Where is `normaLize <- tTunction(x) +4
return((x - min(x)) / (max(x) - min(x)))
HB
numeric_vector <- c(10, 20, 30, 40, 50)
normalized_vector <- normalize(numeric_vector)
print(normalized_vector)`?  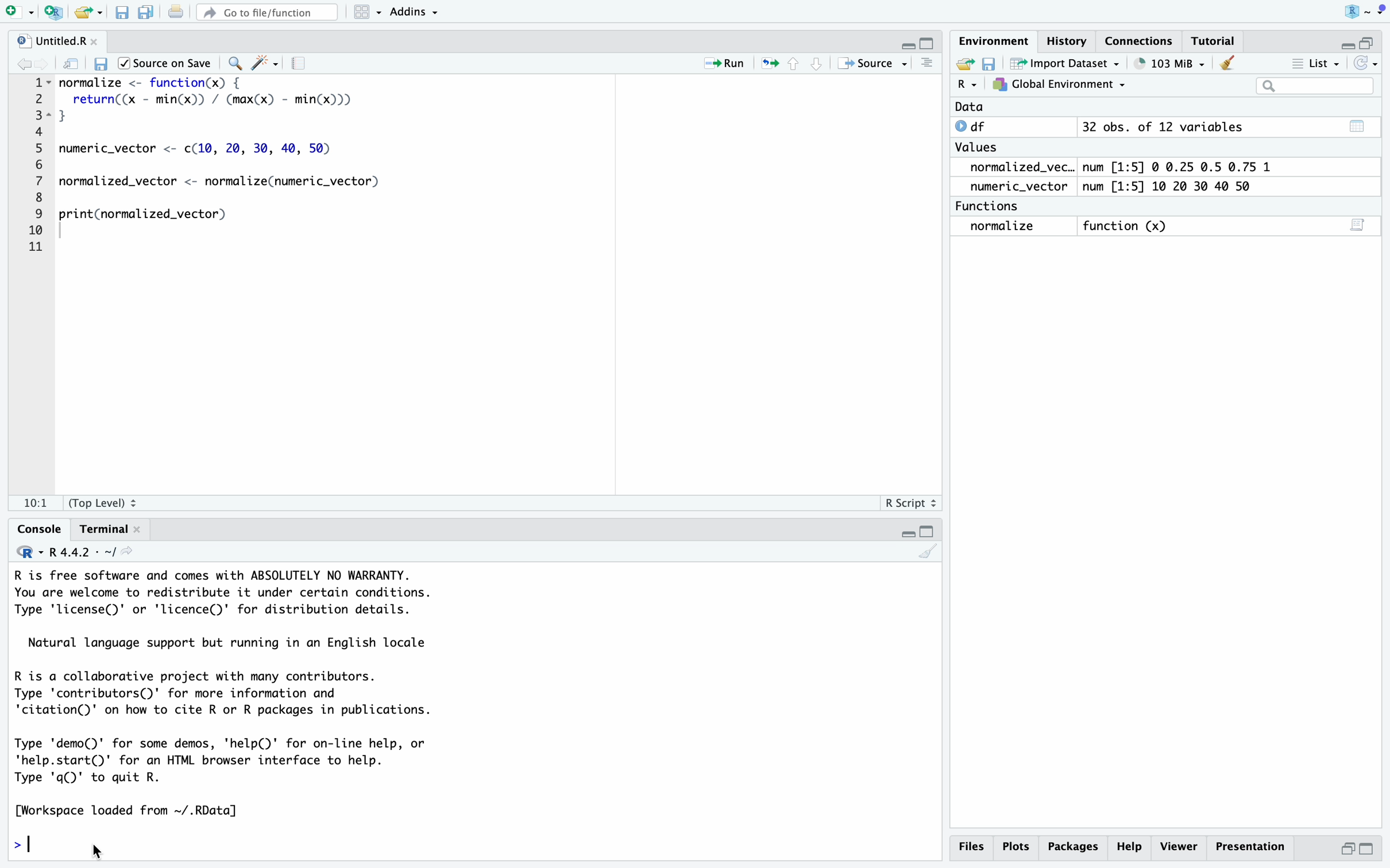
normaLize <- tTunction(x) +4
return((x - min(x)) / (max(x) - min(x)))
HB
numeric_vector <- c(10, 20, 30, 40, 50)
normalized_vector <- normalize(numeric_vector)
print(normalized_vector) is located at coordinates (241, 169).